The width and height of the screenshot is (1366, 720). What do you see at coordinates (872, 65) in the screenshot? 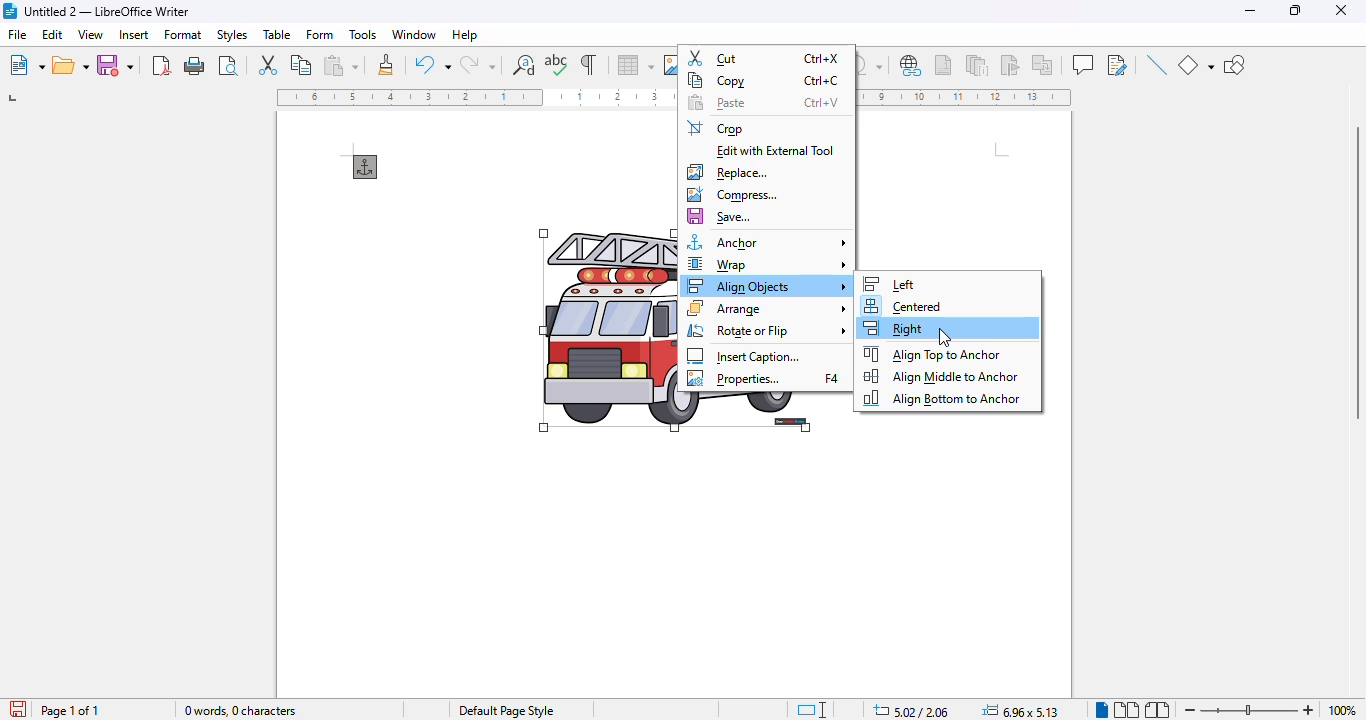
I see `insert special characters` at bounding box center [872, 65].